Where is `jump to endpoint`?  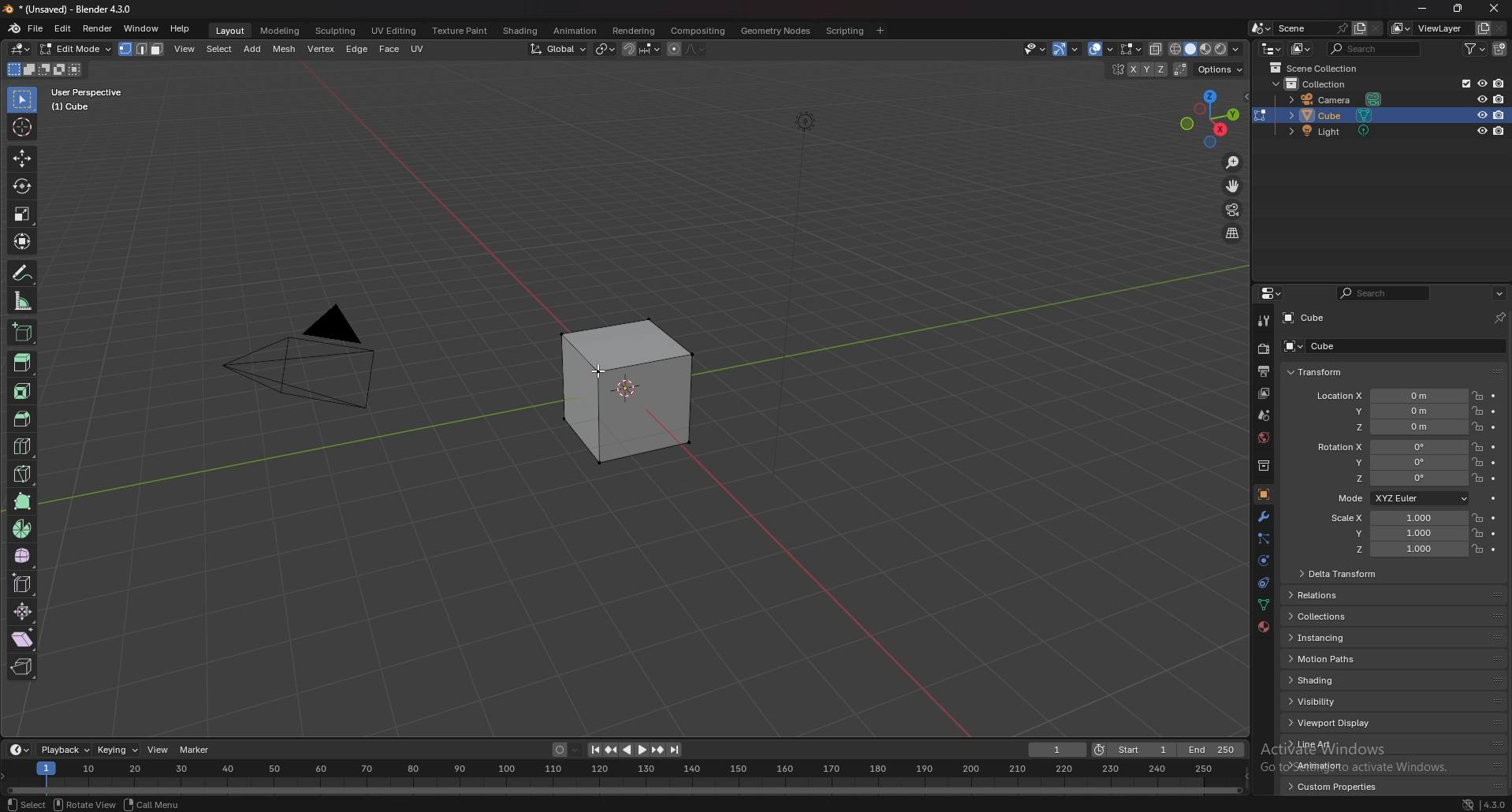 jump to endpoint is located at coordinates (676, 749).